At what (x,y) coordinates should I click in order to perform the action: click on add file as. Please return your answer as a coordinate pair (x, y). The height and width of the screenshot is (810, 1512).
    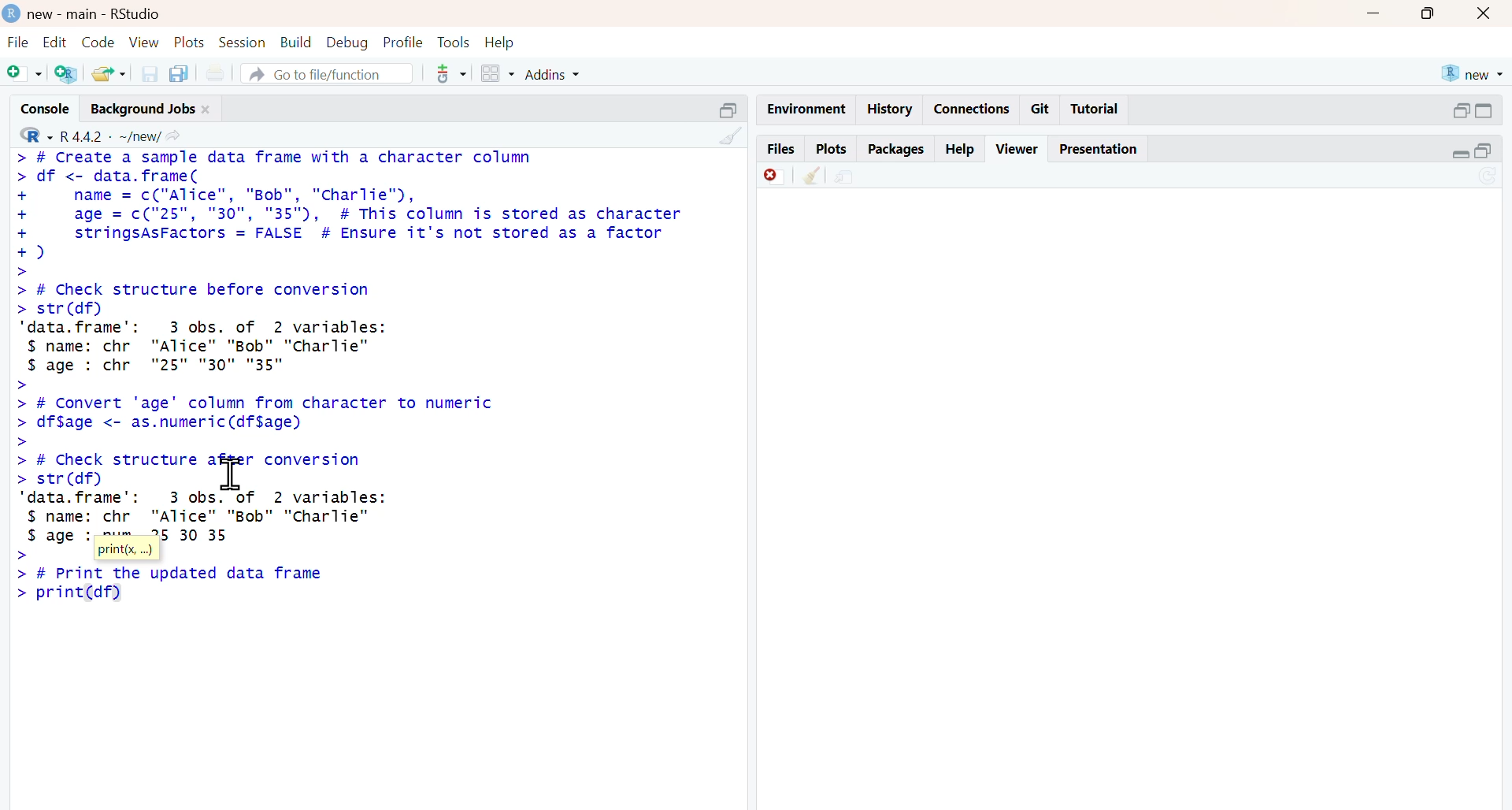
    Looking at the image, I should click on (25, 74).